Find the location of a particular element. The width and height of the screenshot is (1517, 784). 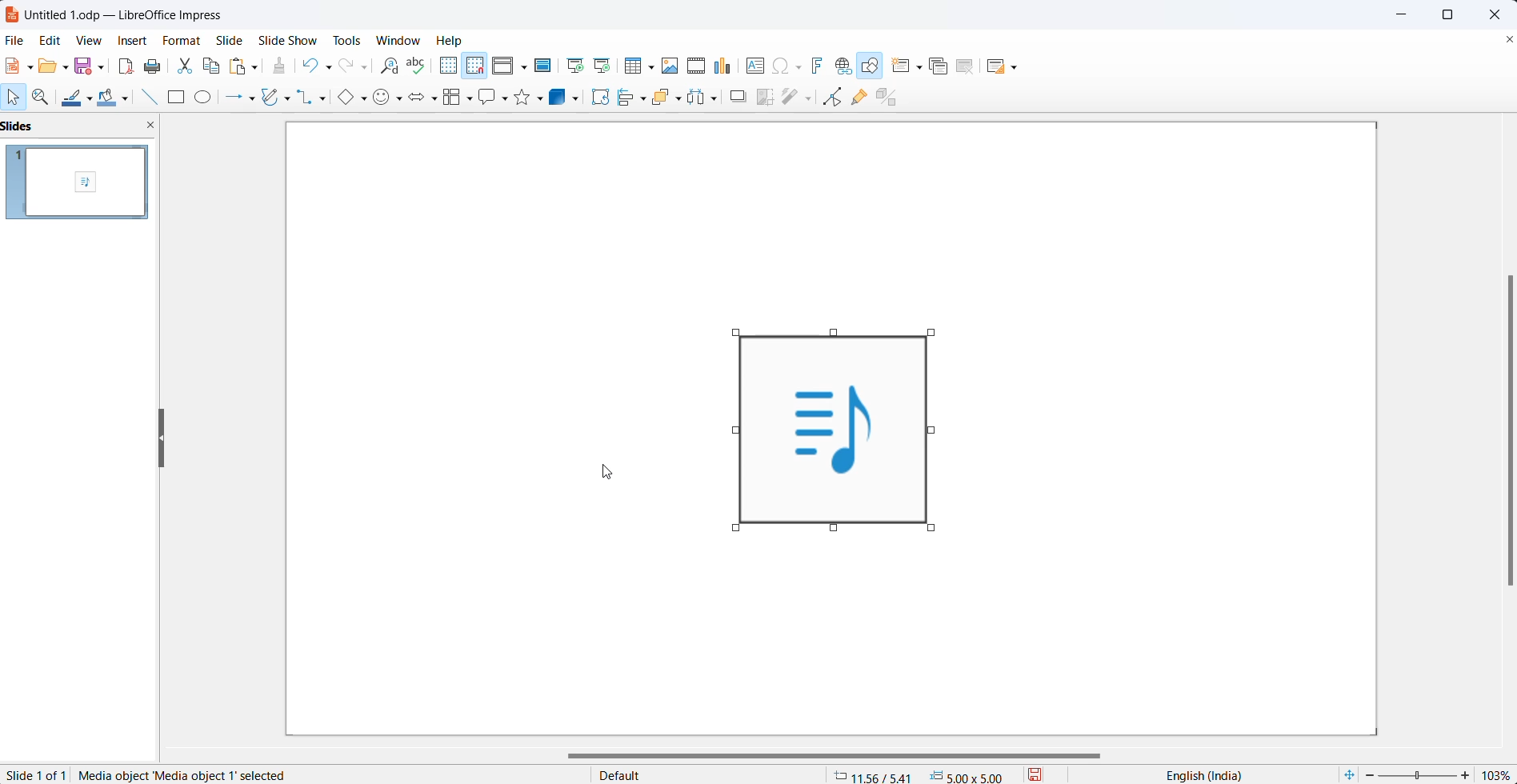

3d object options is located at coordinates (579, 100).